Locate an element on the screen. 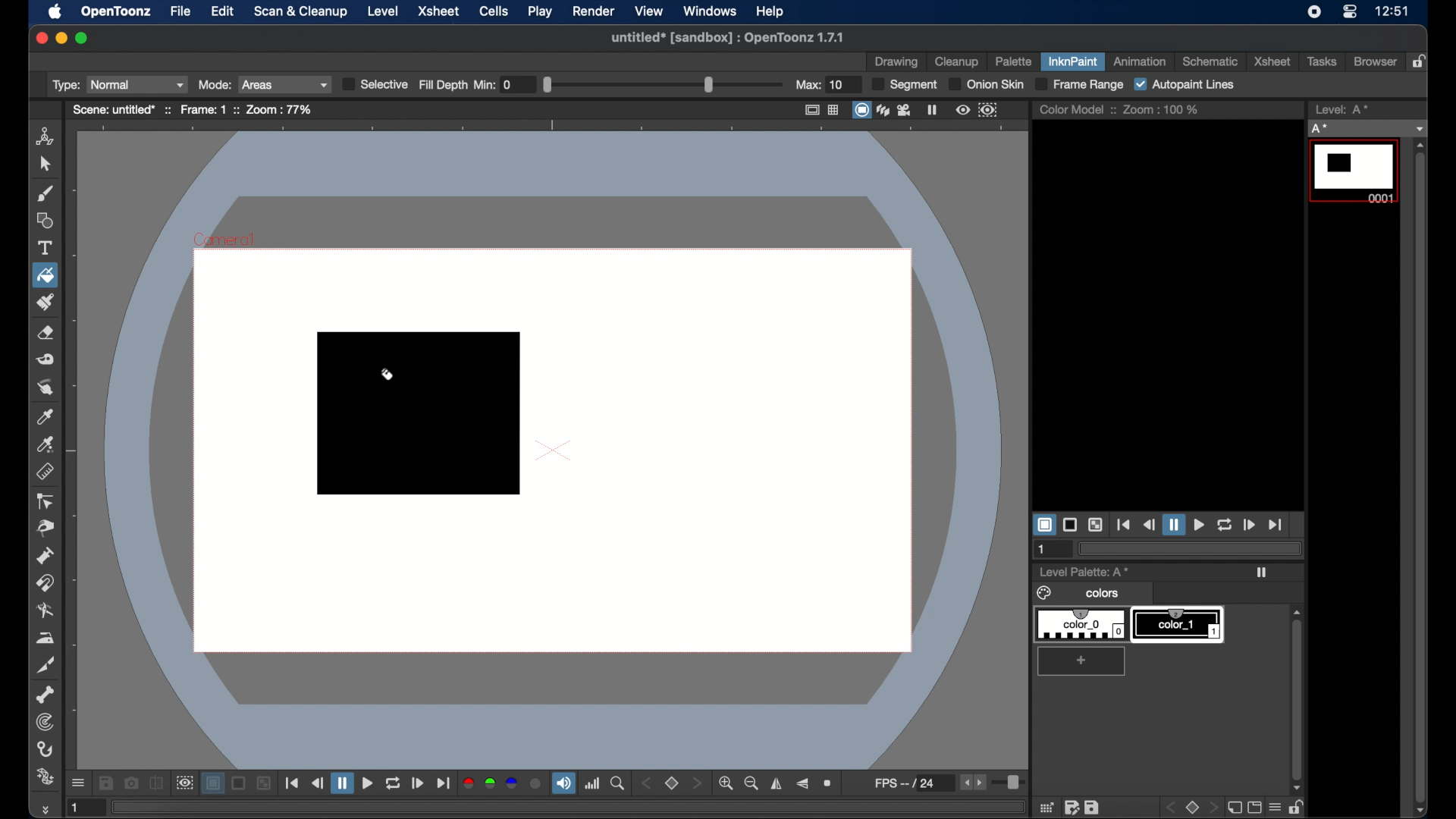  front is located at coordinates (1213, 808).